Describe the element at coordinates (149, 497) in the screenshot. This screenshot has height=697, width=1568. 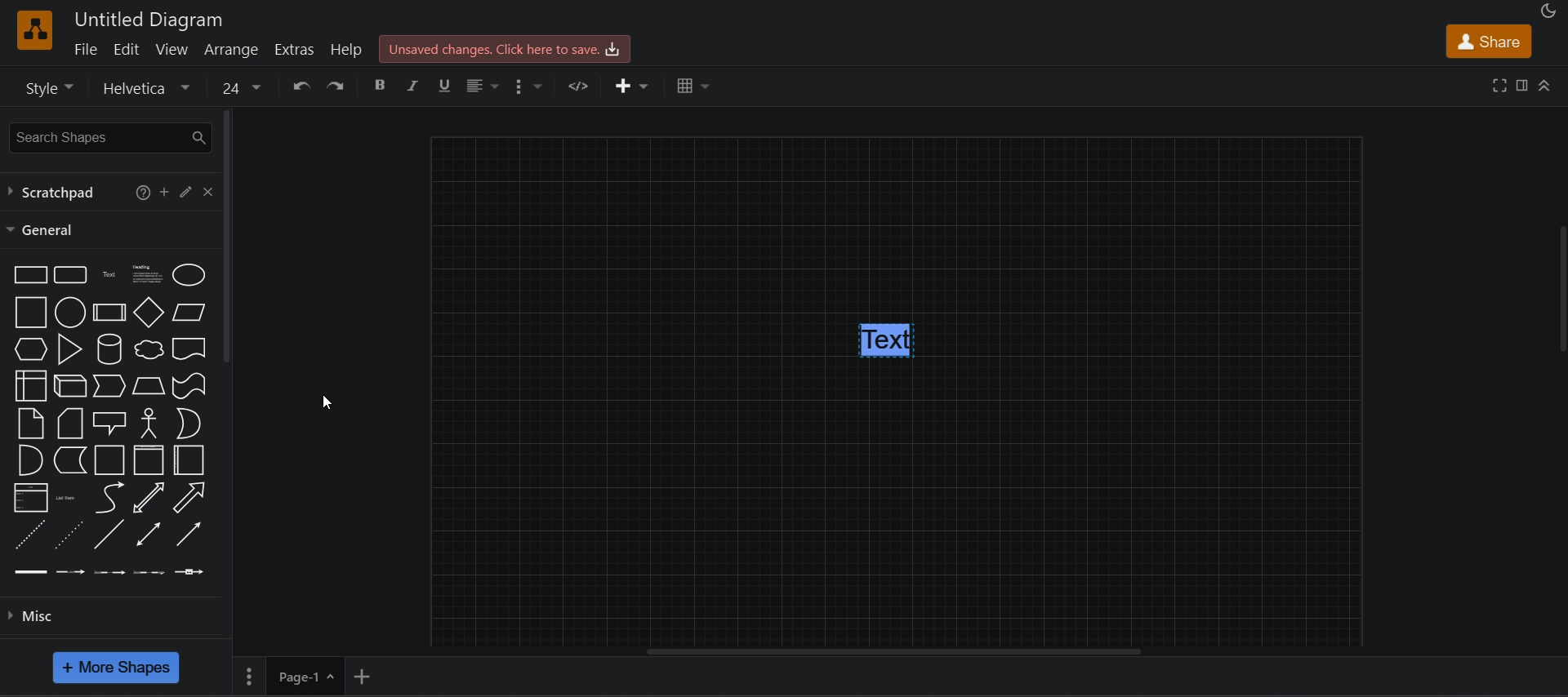
I see `Bidirectional arrow` at that location.